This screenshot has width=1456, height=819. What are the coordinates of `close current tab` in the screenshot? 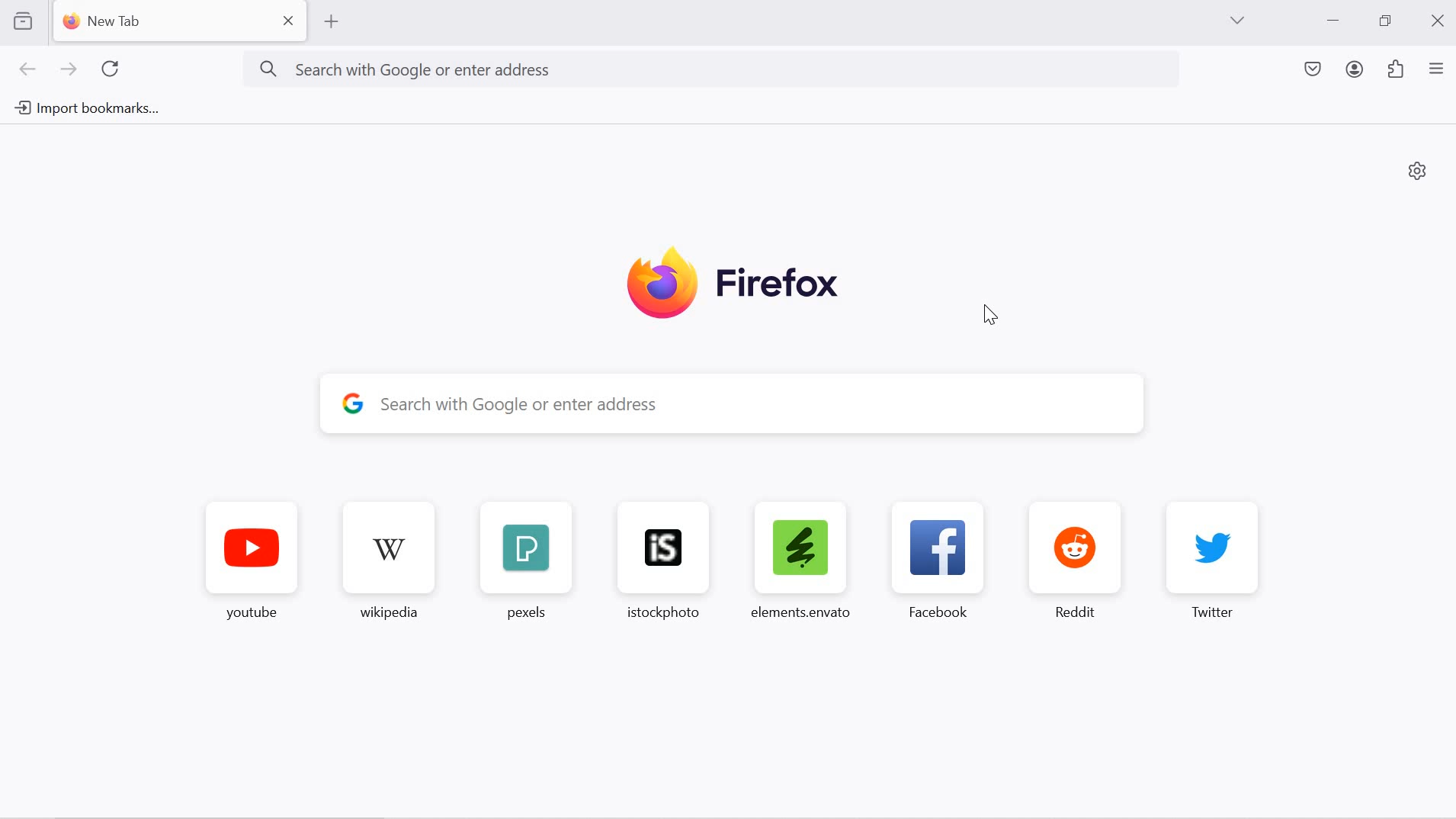 It's located at (287, 21).